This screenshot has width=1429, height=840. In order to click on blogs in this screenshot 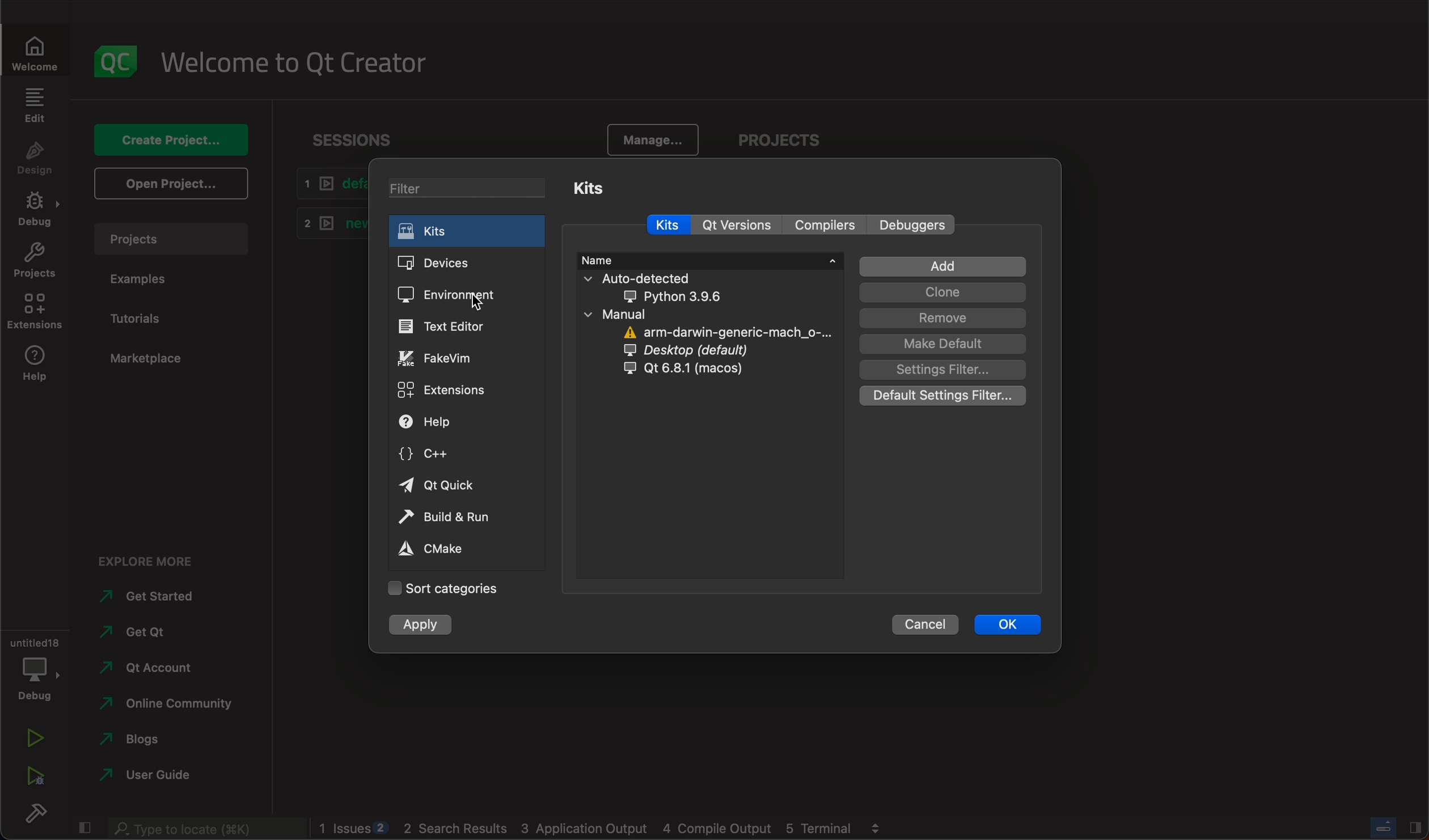, I will do `click(160, 741)`.